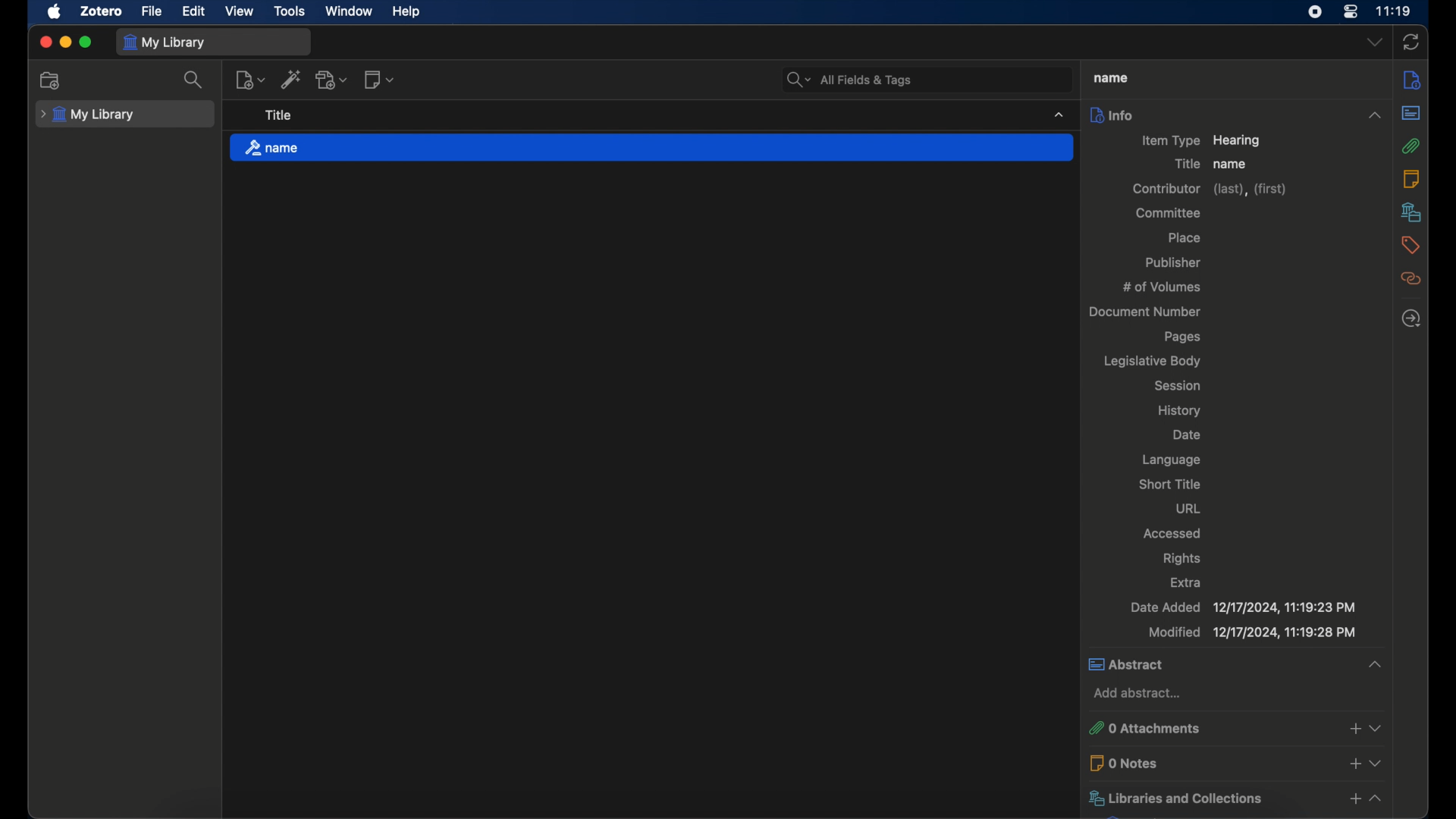 The width and height of the screenshot is (1456, 819). Describe the element at coordinates (1411, 212) in the screenshot. I see `libraries` at that location.